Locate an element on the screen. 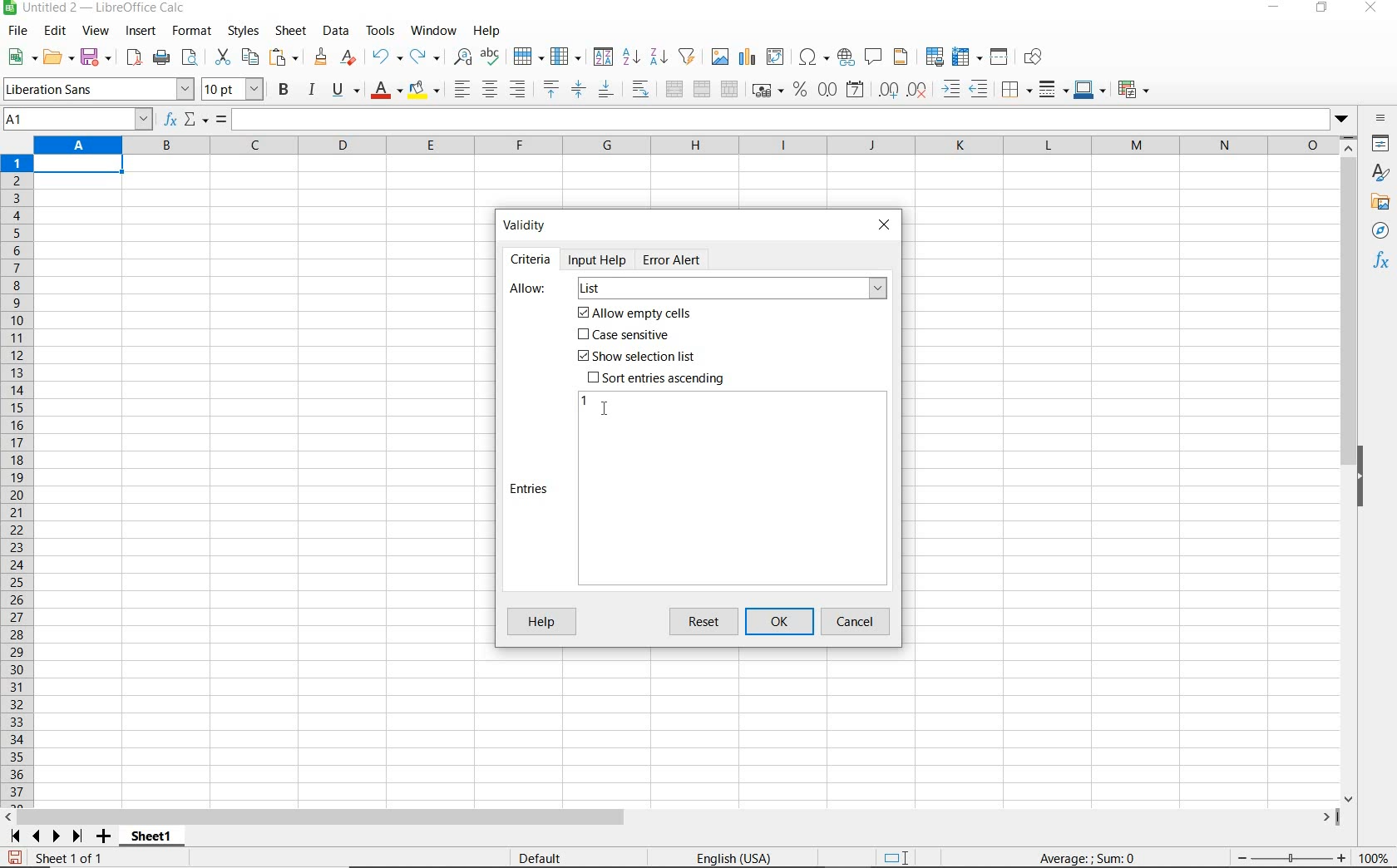  format is located at coordinates (190, 31).